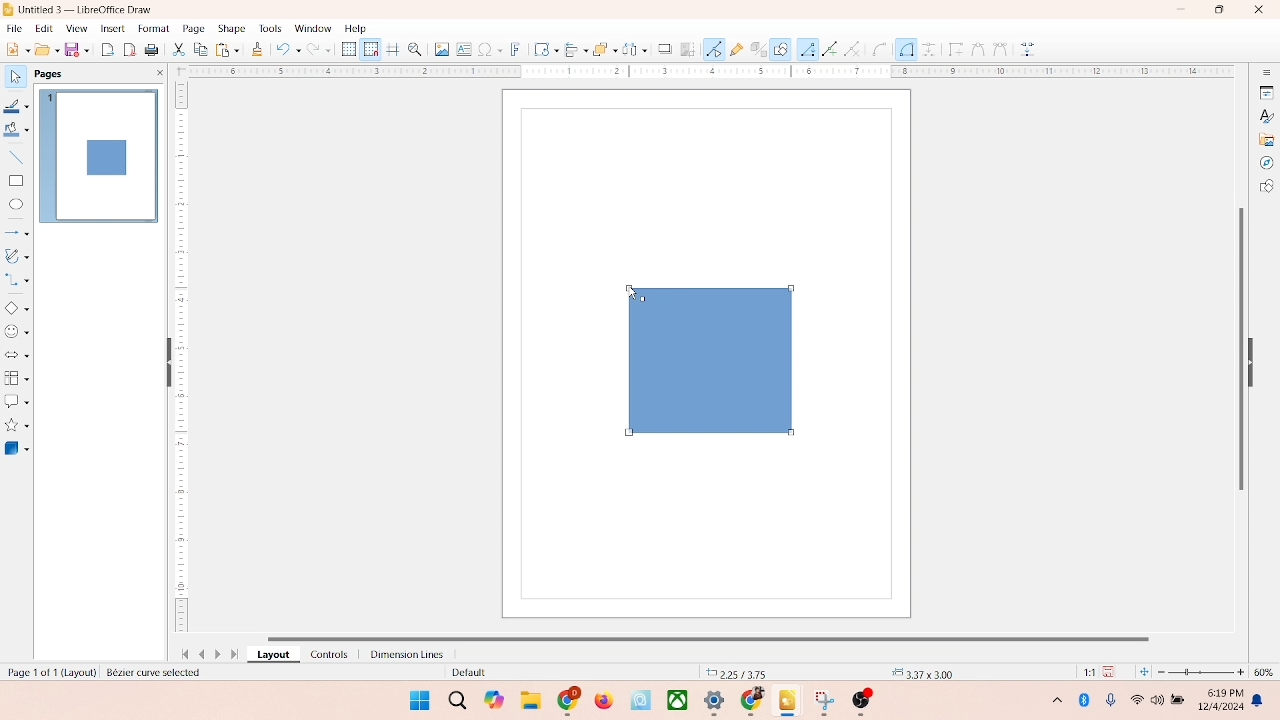 The width and height of the screenshot is (1280, 720). Describe the element at coordinates (929, 49) in the screenshot. I see `Dimension line tool` at that location.